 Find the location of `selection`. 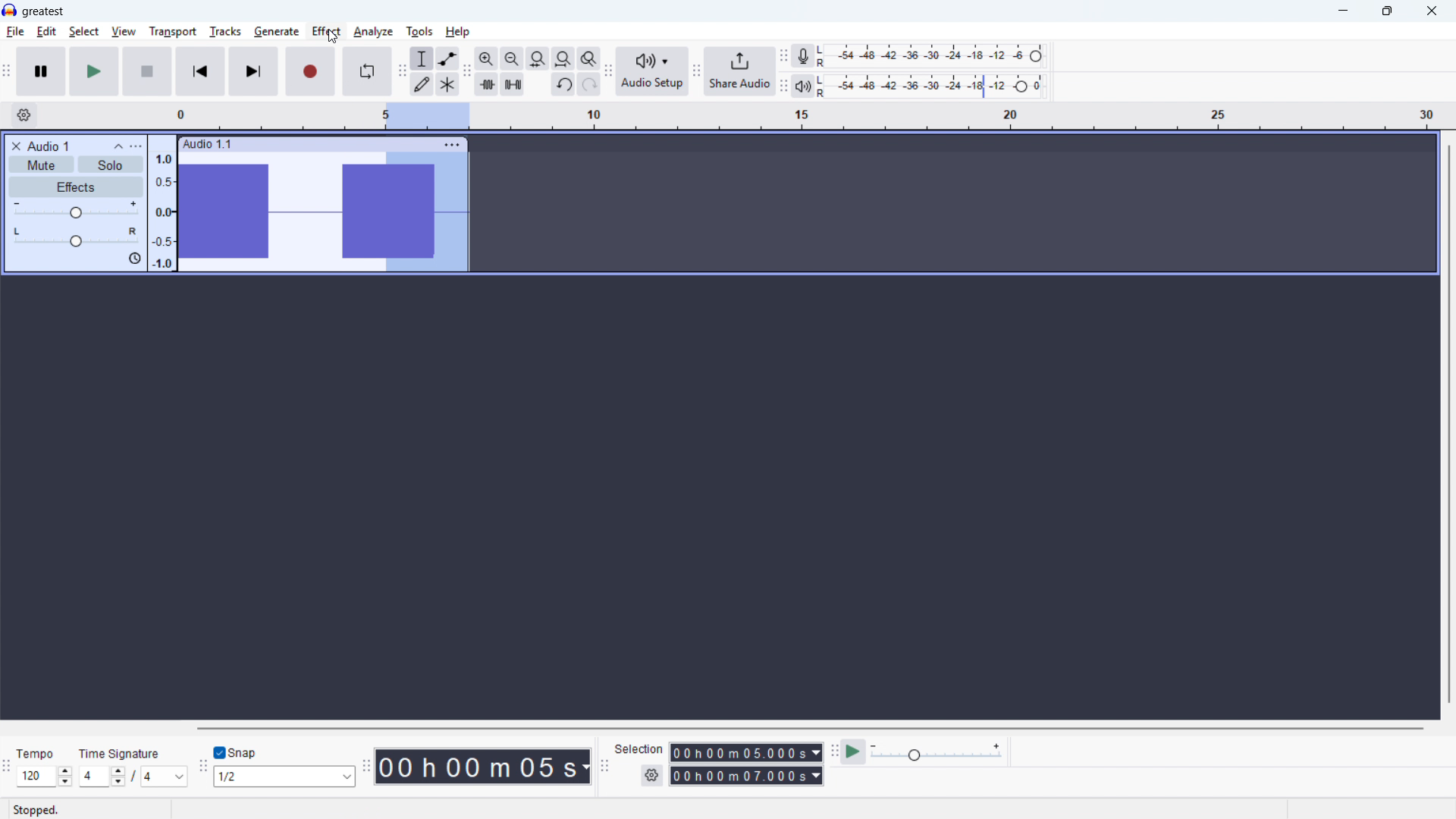

selection is located at coordinates (639, 749).